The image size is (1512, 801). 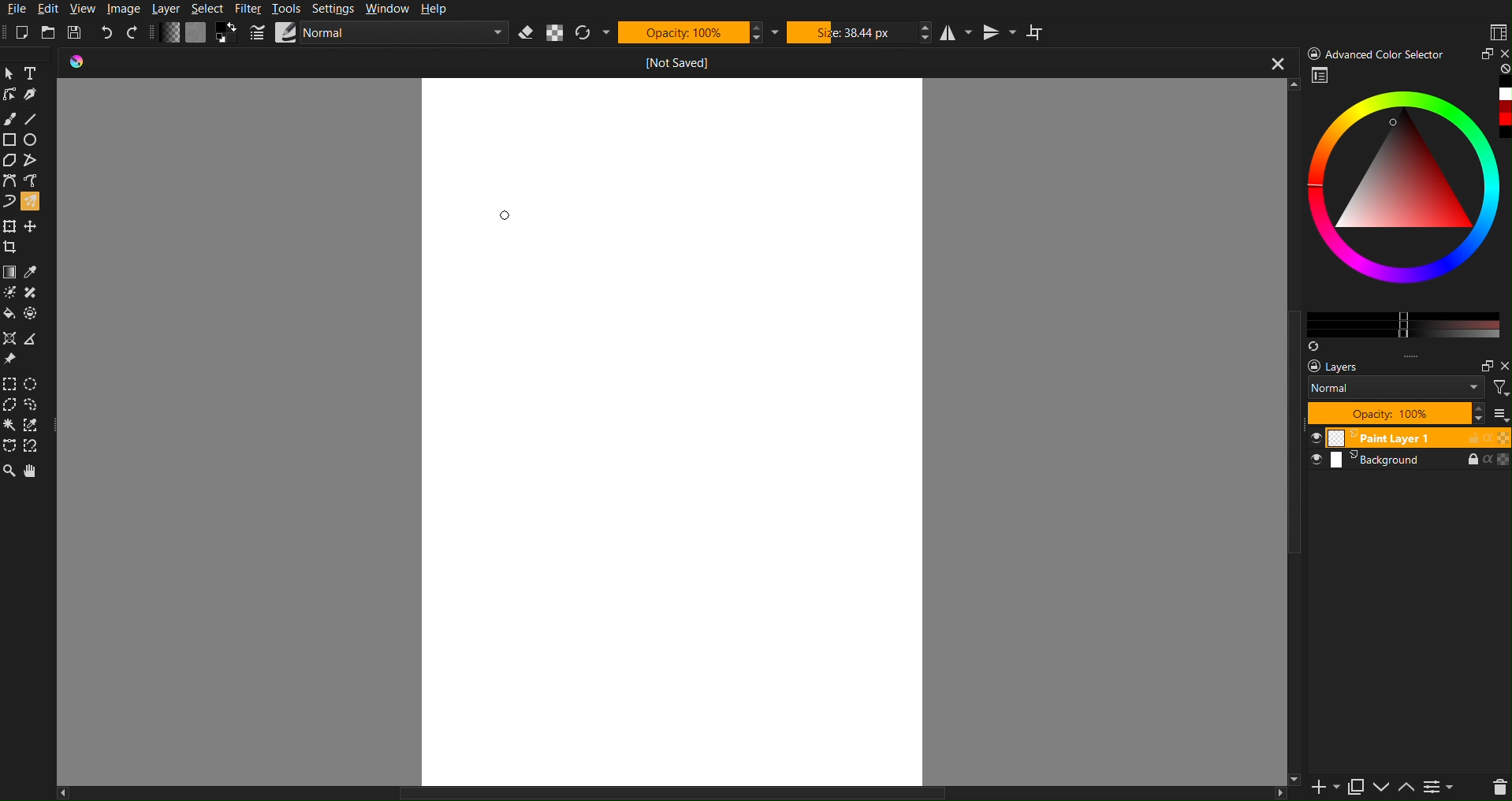 I want to click on Cursor, so click(x=502, y=216).